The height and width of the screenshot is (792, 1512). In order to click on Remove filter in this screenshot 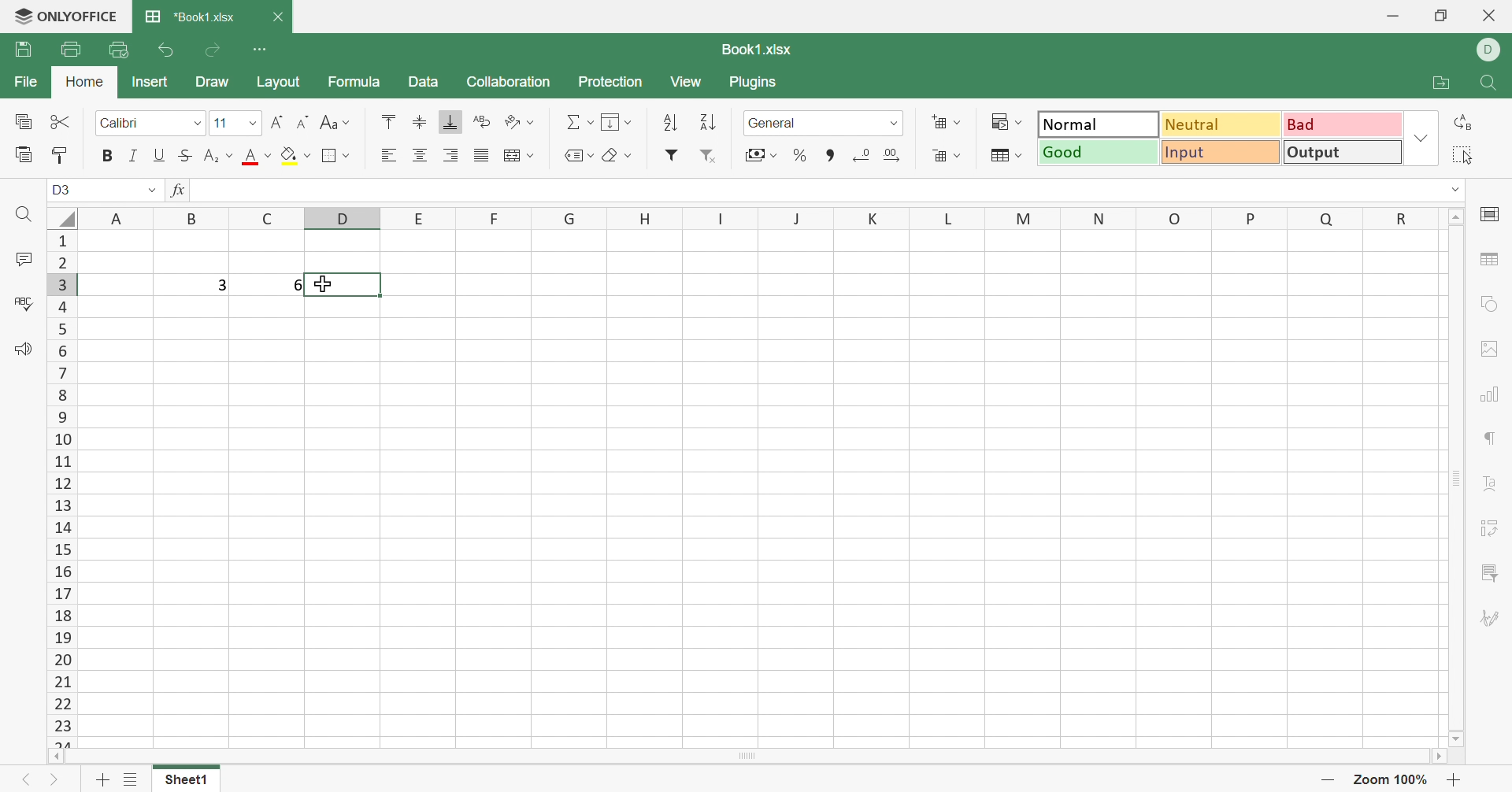, I will do `click(705, 154)`.